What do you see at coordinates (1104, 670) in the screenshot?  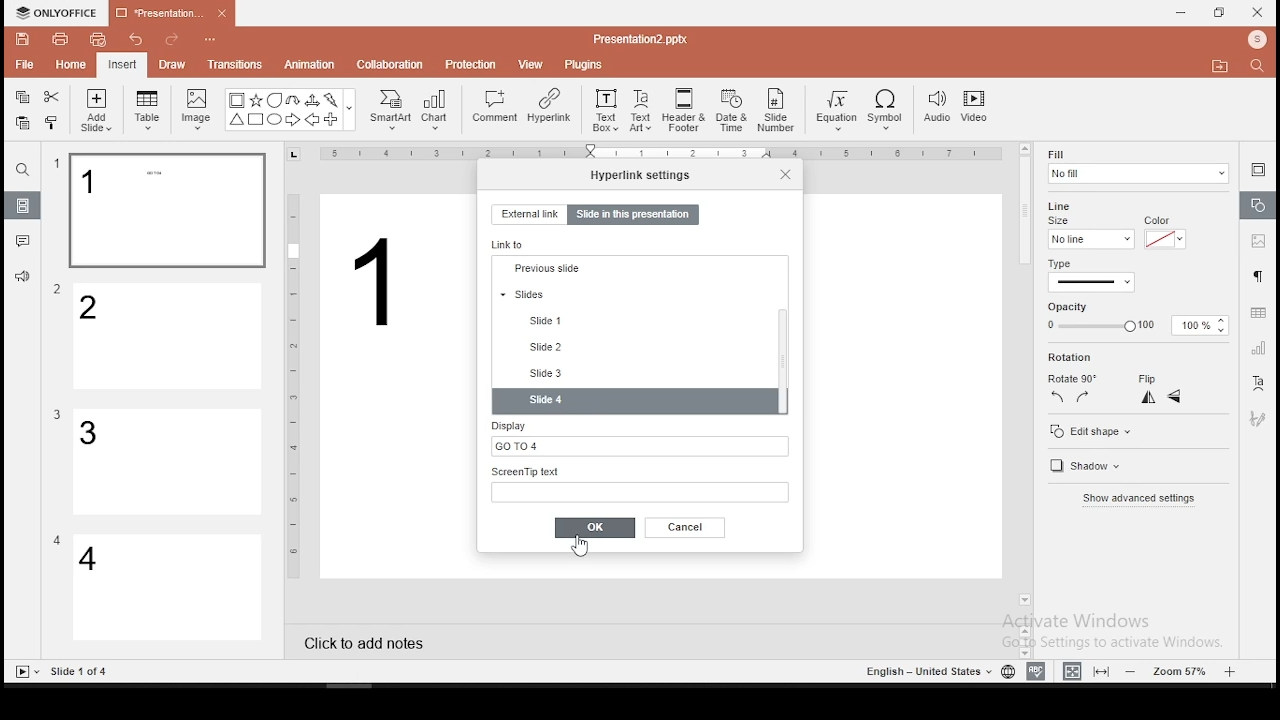 I see `fit to slide` at bounding box center [1104, 670].